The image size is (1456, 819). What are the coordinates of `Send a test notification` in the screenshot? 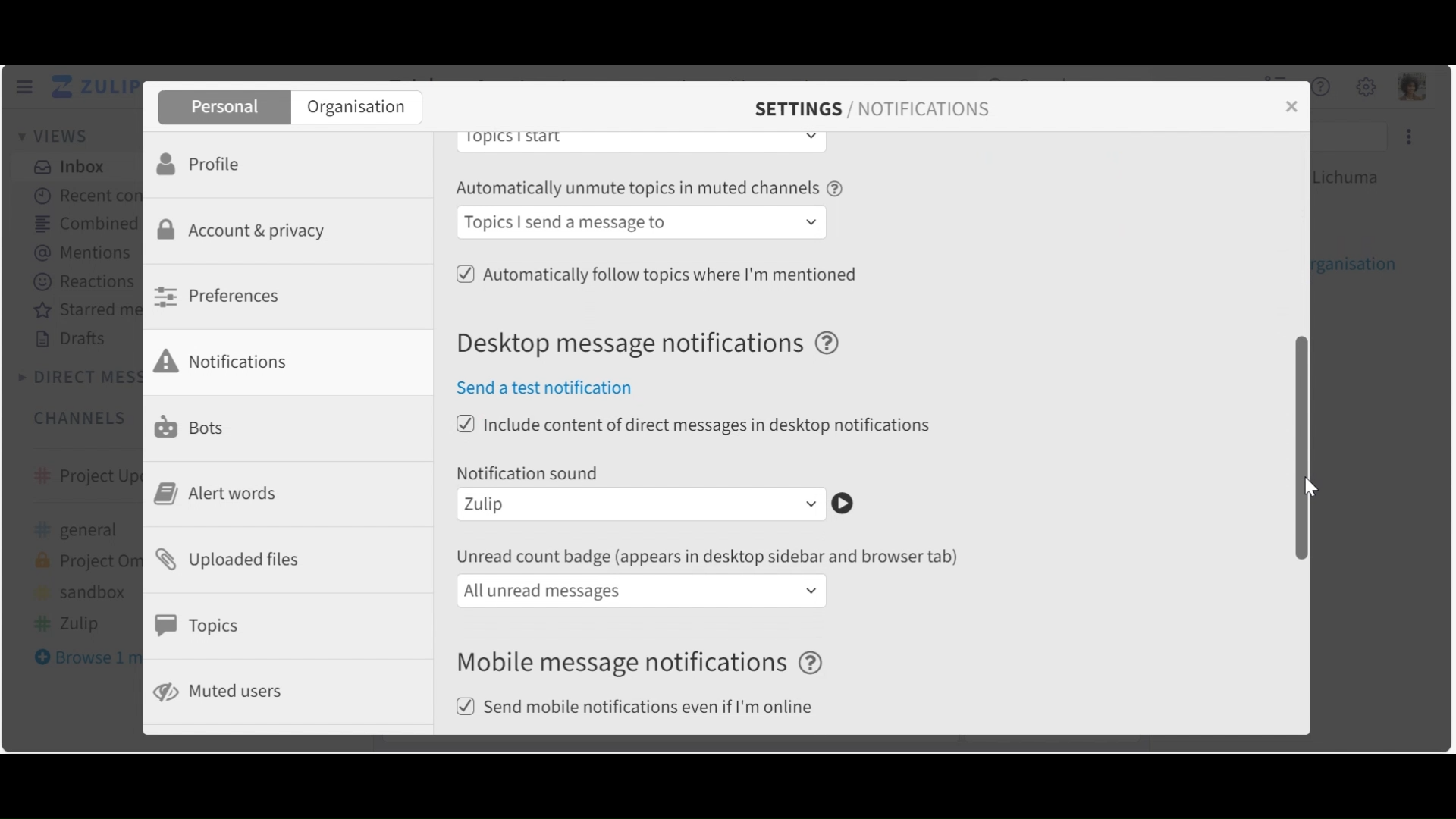 It's located at (554, 389).